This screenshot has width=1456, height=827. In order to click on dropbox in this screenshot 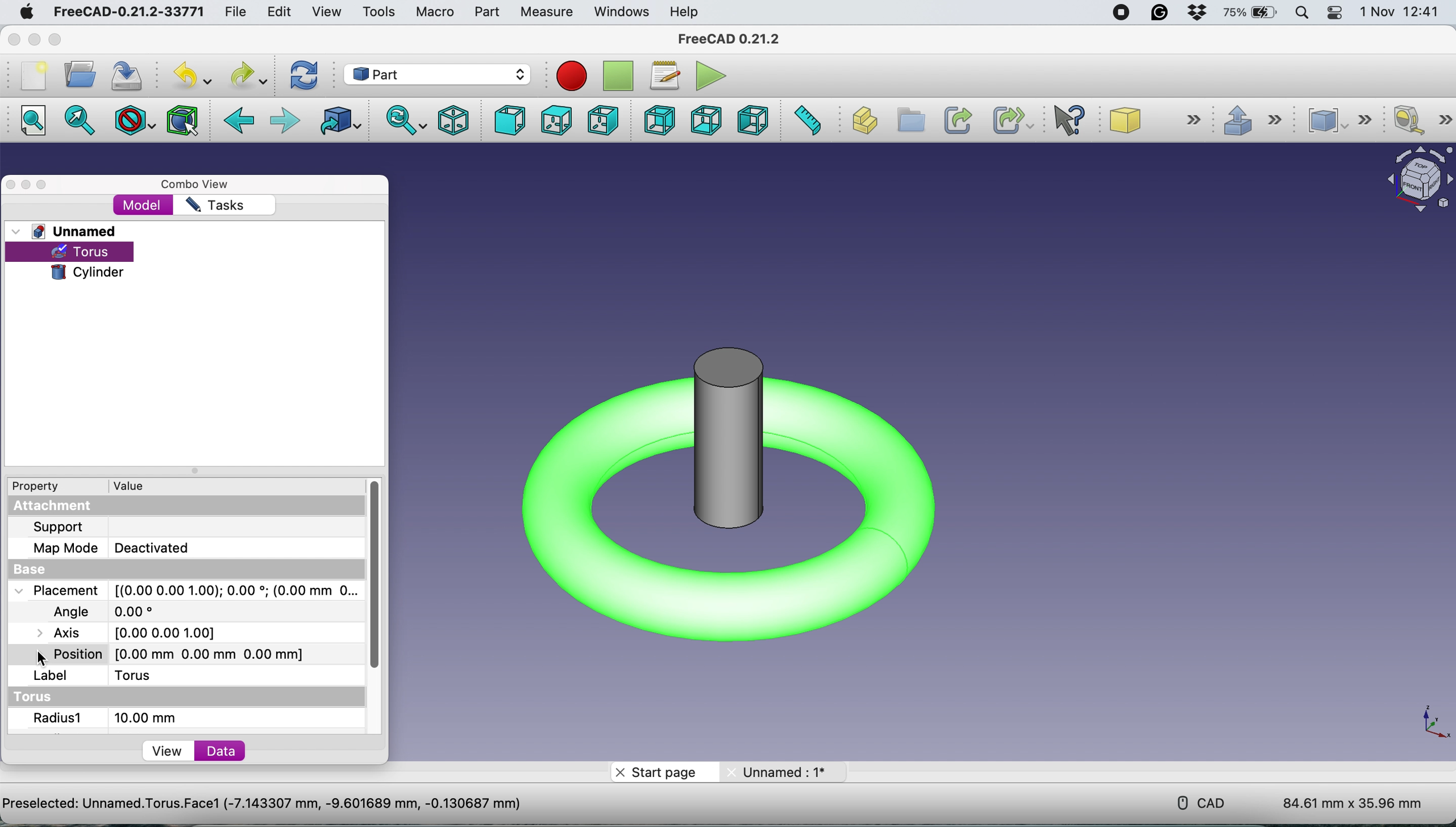, I will do `click(1196, 14)`.